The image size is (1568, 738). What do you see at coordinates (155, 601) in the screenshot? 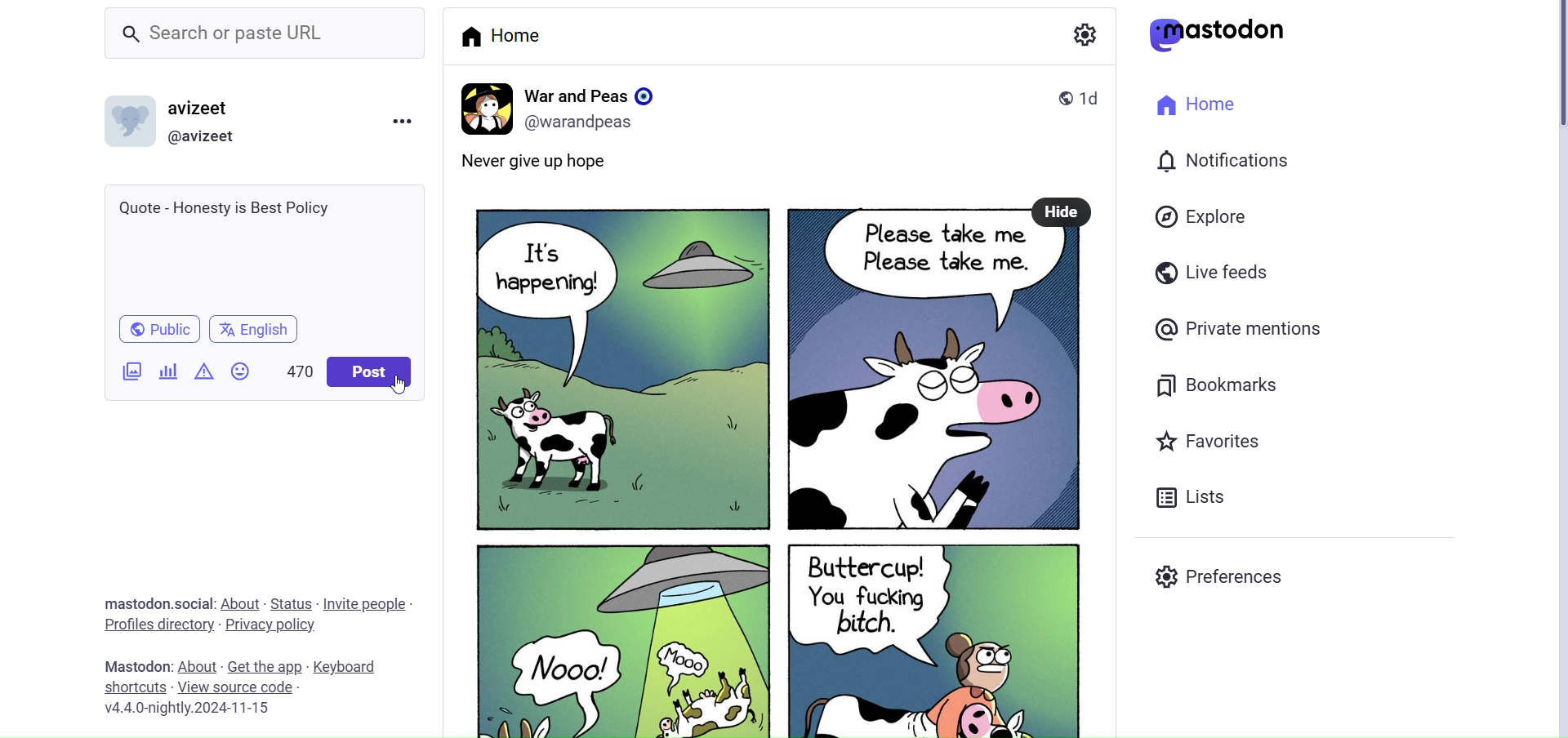
I see `Mastodon.social` at bounding box center [155, 601].